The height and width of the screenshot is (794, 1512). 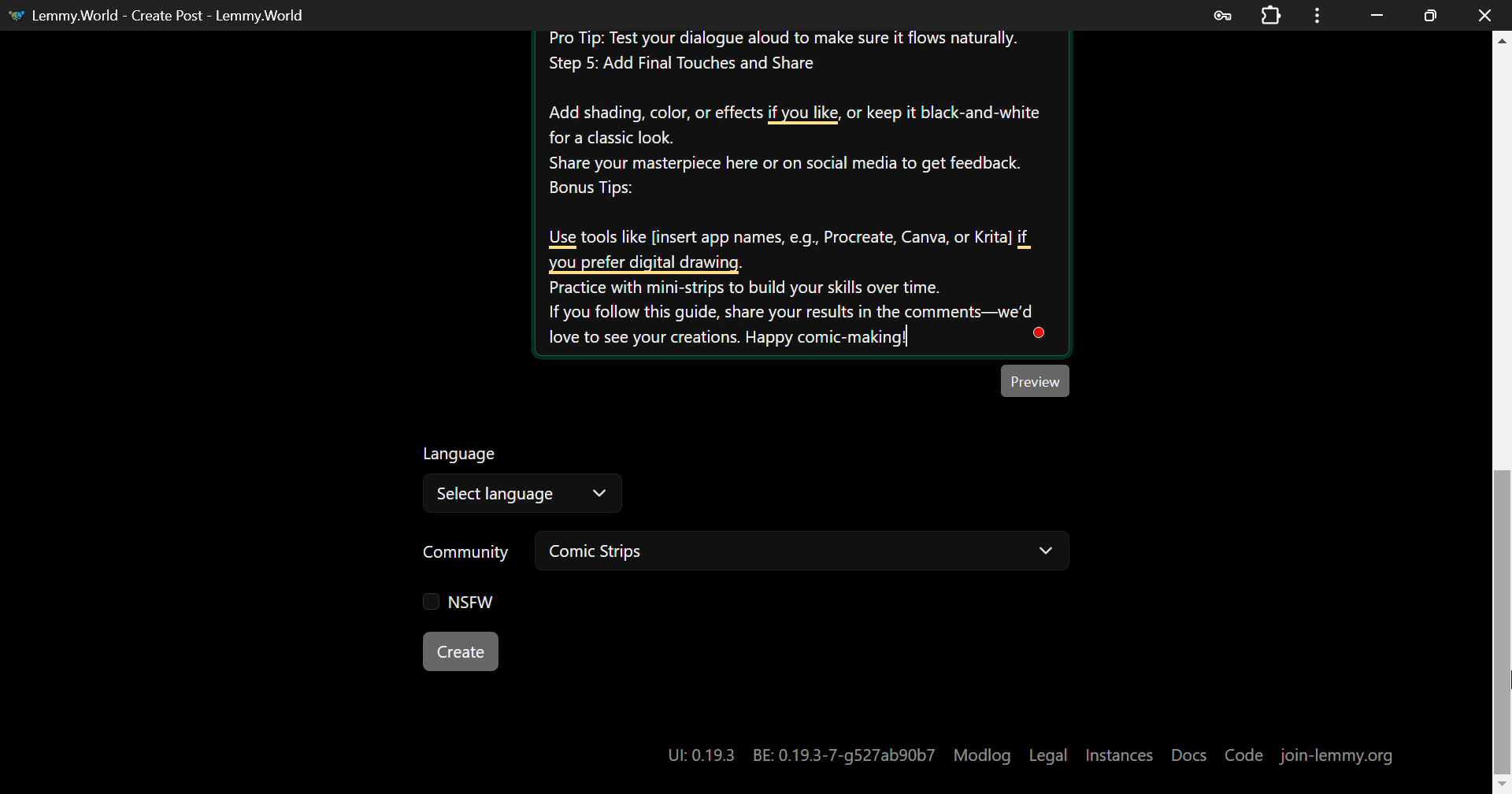 What do you see at coordinates (984, 756) in the screenshot?
I see `Modlog` at bounding box center [984, 756].